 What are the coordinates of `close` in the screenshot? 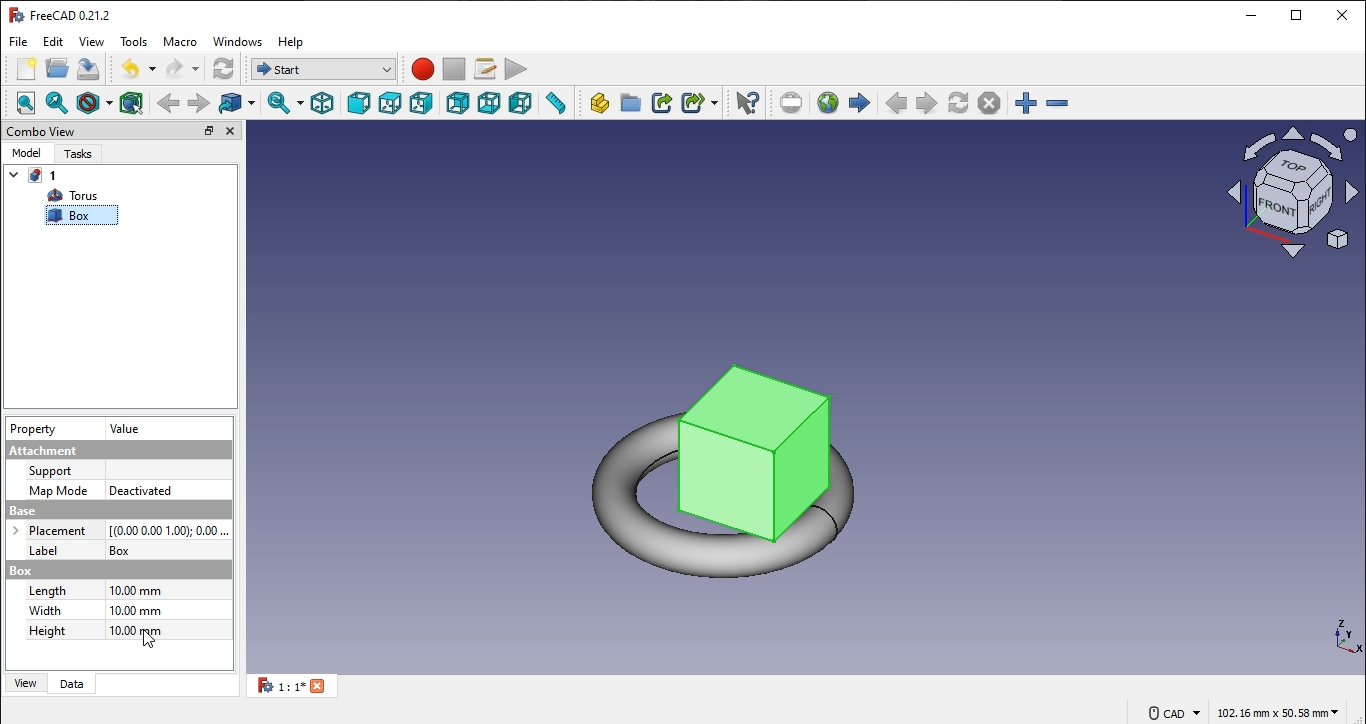 It's located at (1342, 13).